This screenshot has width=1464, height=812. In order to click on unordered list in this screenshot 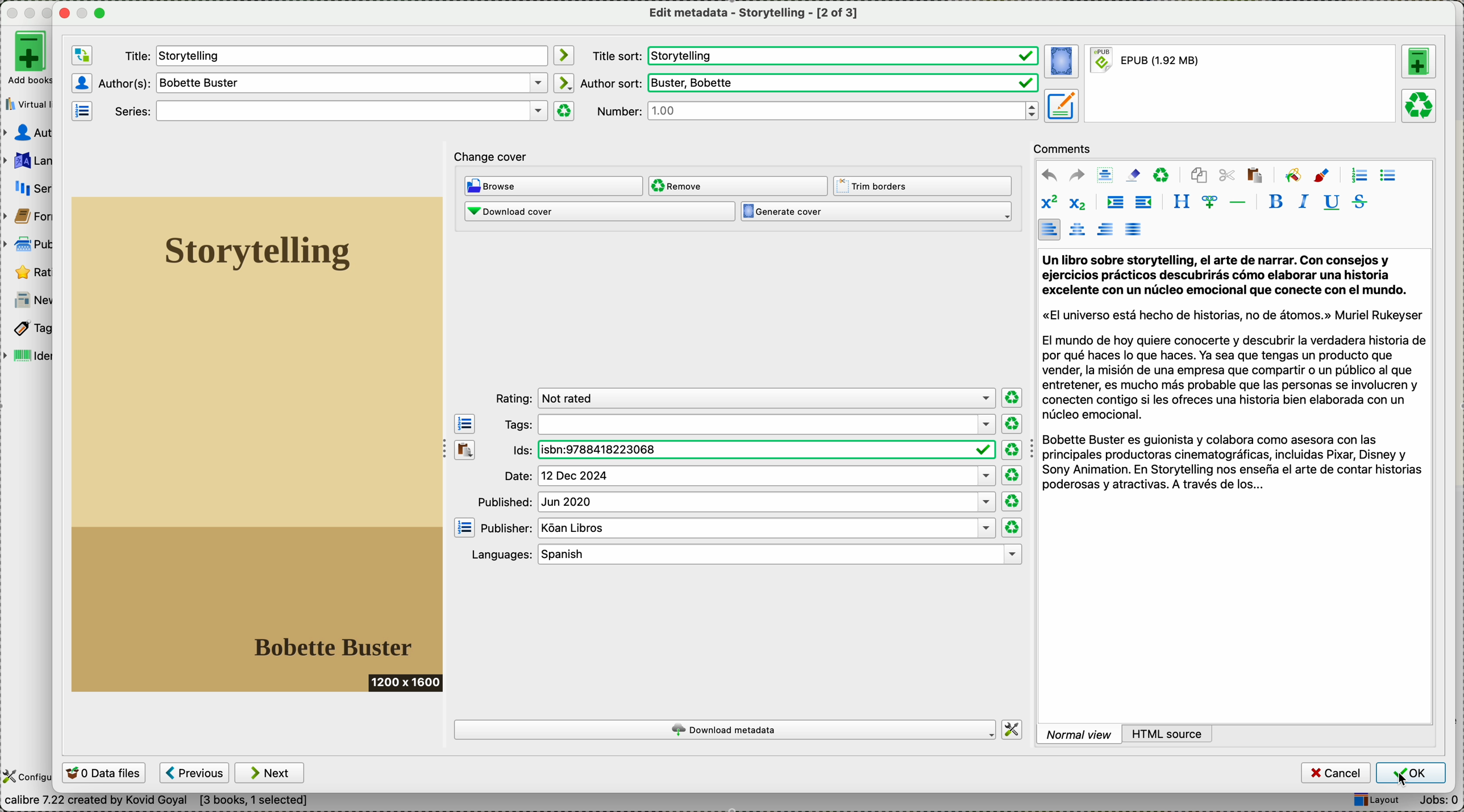, I will do `click(1388, 176)`.